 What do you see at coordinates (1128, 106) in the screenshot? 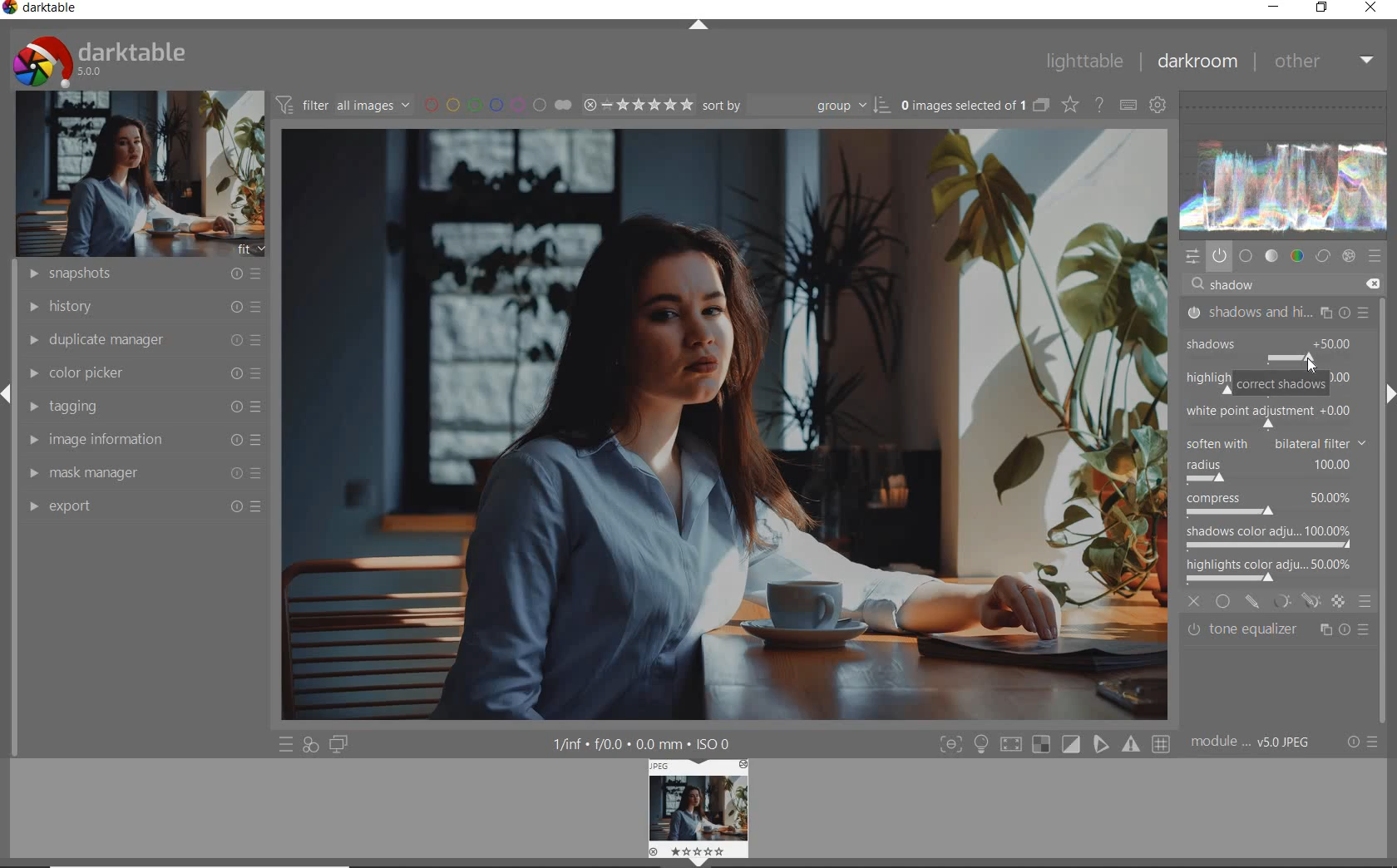
I see `define keyboard shortcuts` at bounding box center [1128, 106].